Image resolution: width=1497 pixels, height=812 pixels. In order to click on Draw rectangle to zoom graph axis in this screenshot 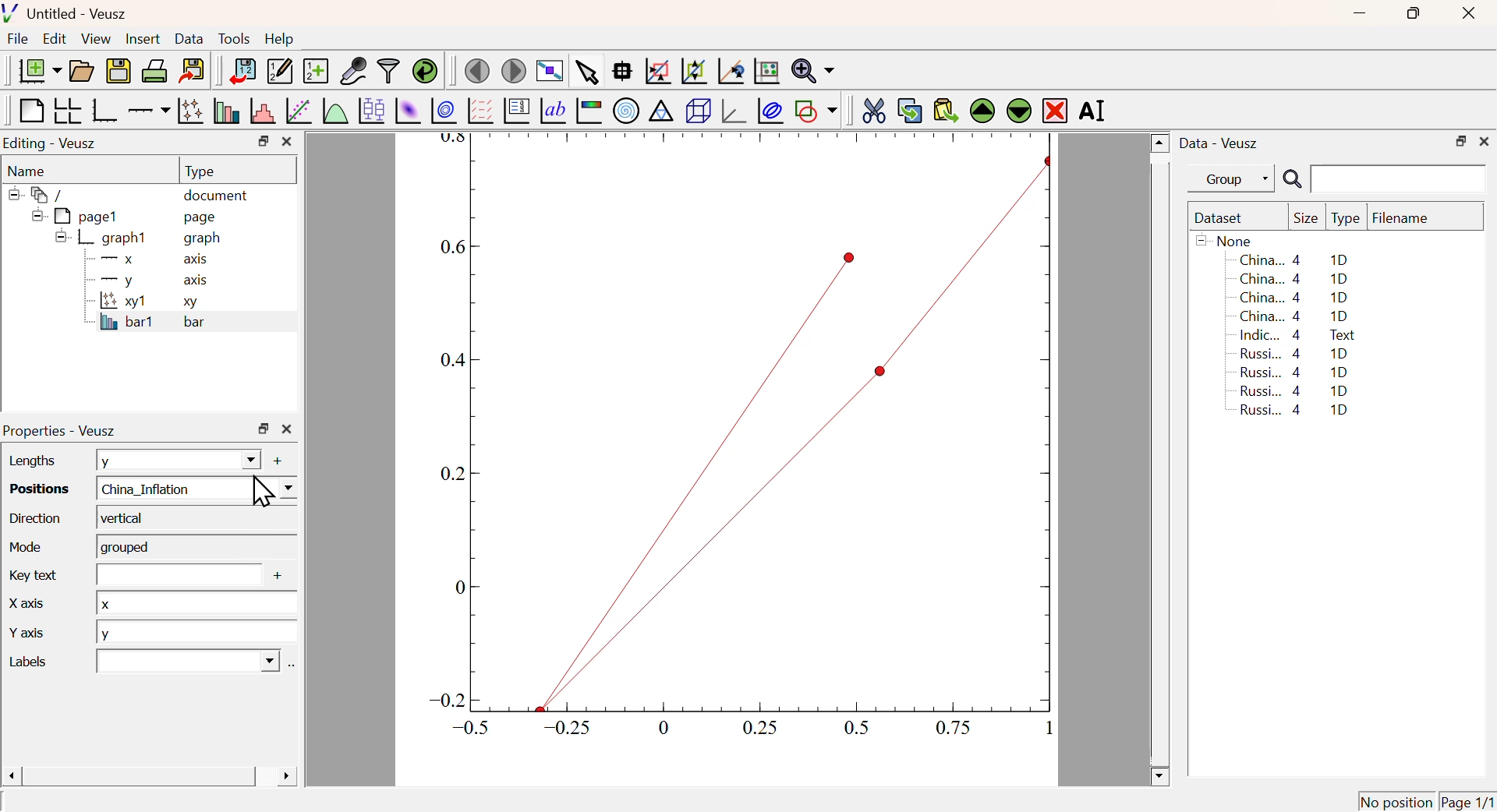, I will do `click(656, 71)`.